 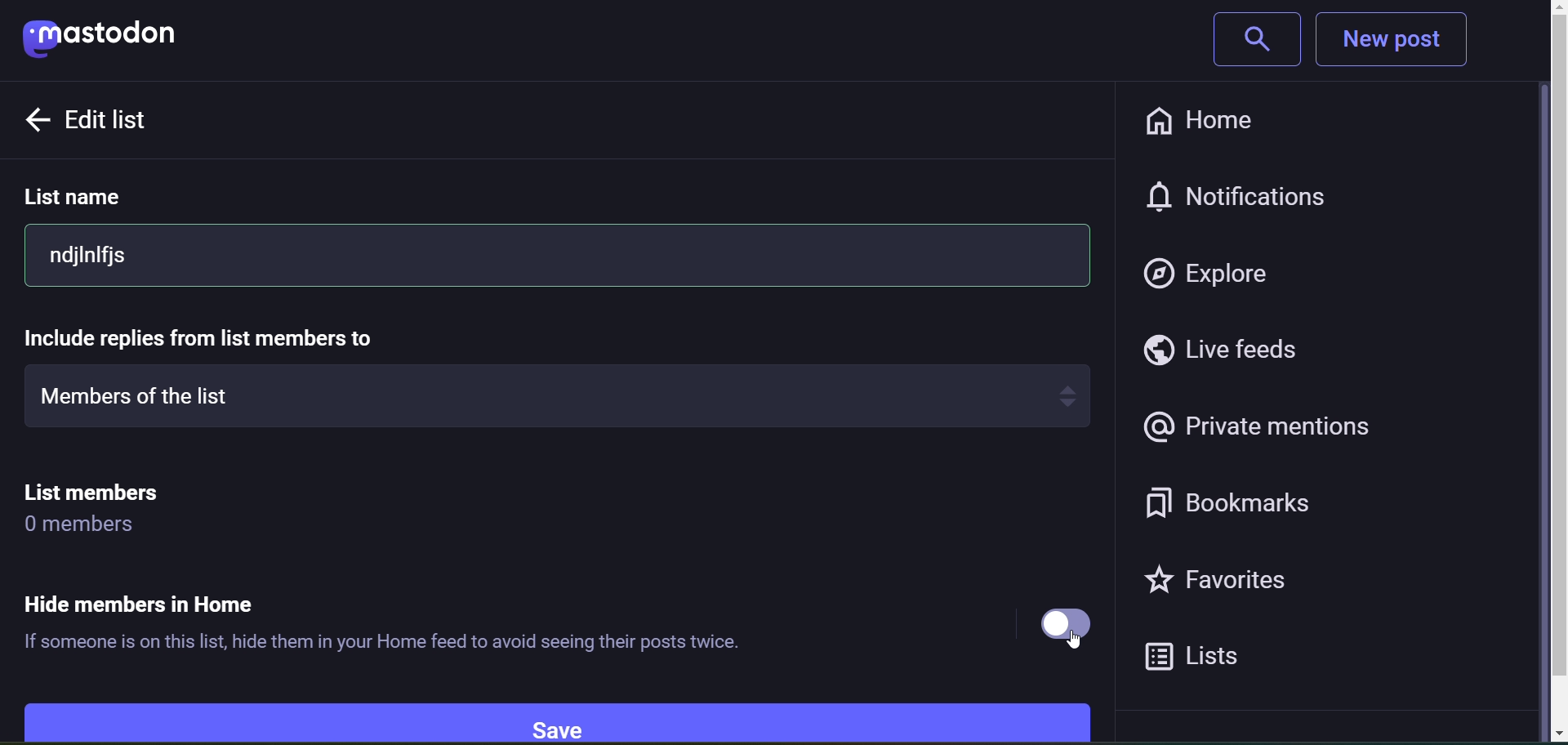 I want to click on edit list, so click(x=128, y=121).